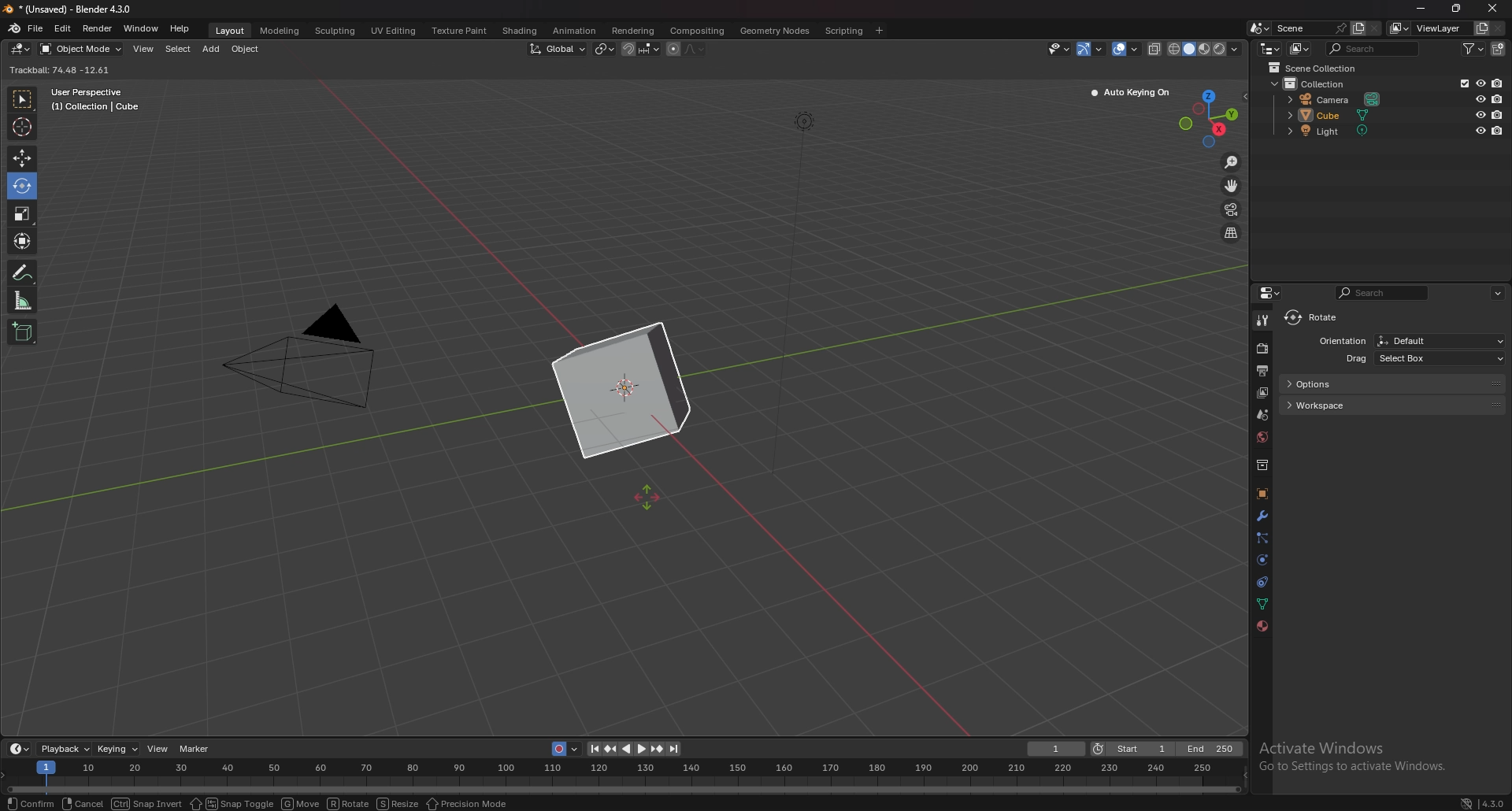 Image resolution: width=1512 pixels, height=811 pixels. I want to click on uv editing, so click(394, 31).